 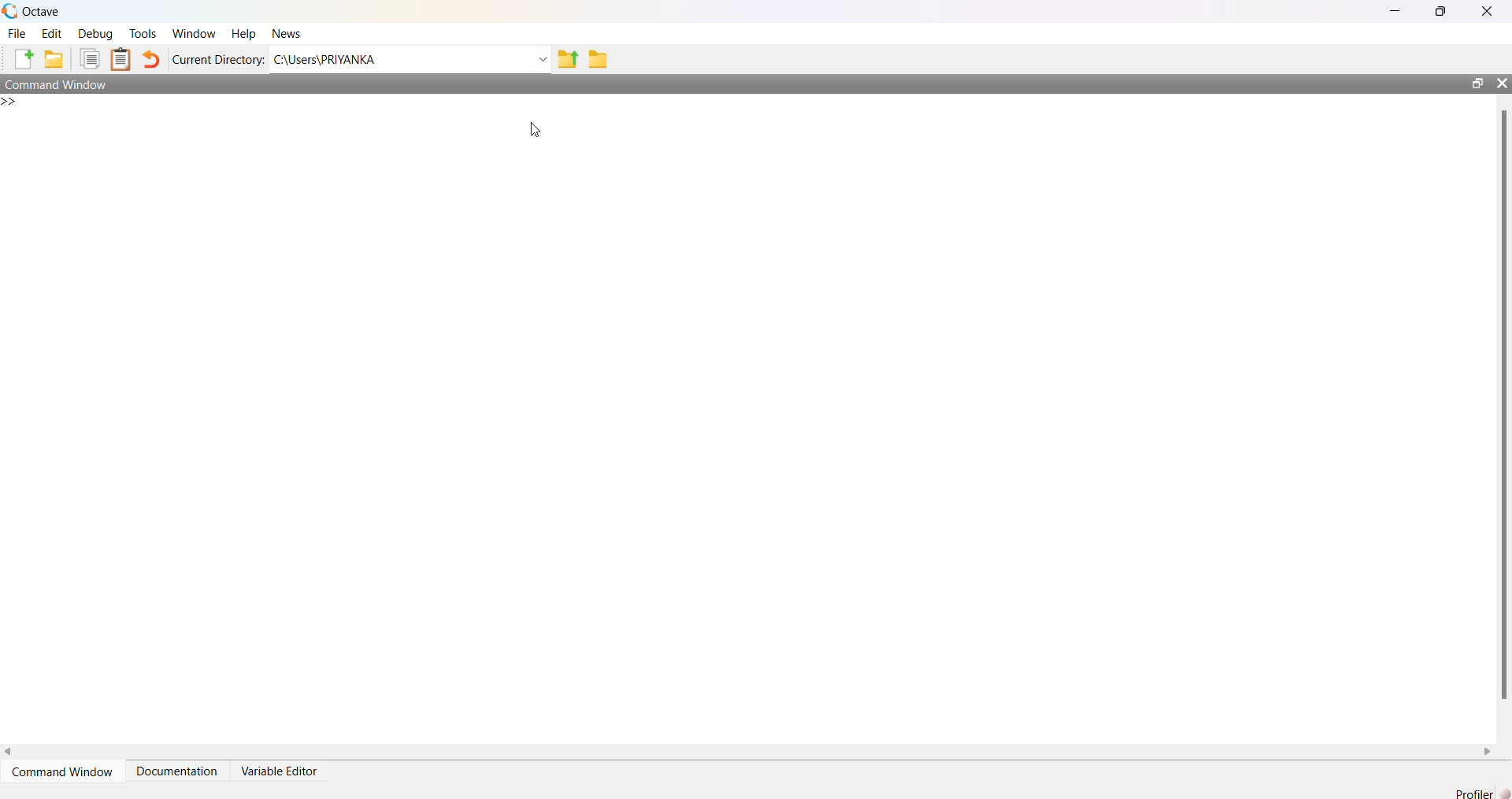 What do you see at coordinates (198, 34) in the screenshot?
I see `Nindow` at bounding box center [198, 34].